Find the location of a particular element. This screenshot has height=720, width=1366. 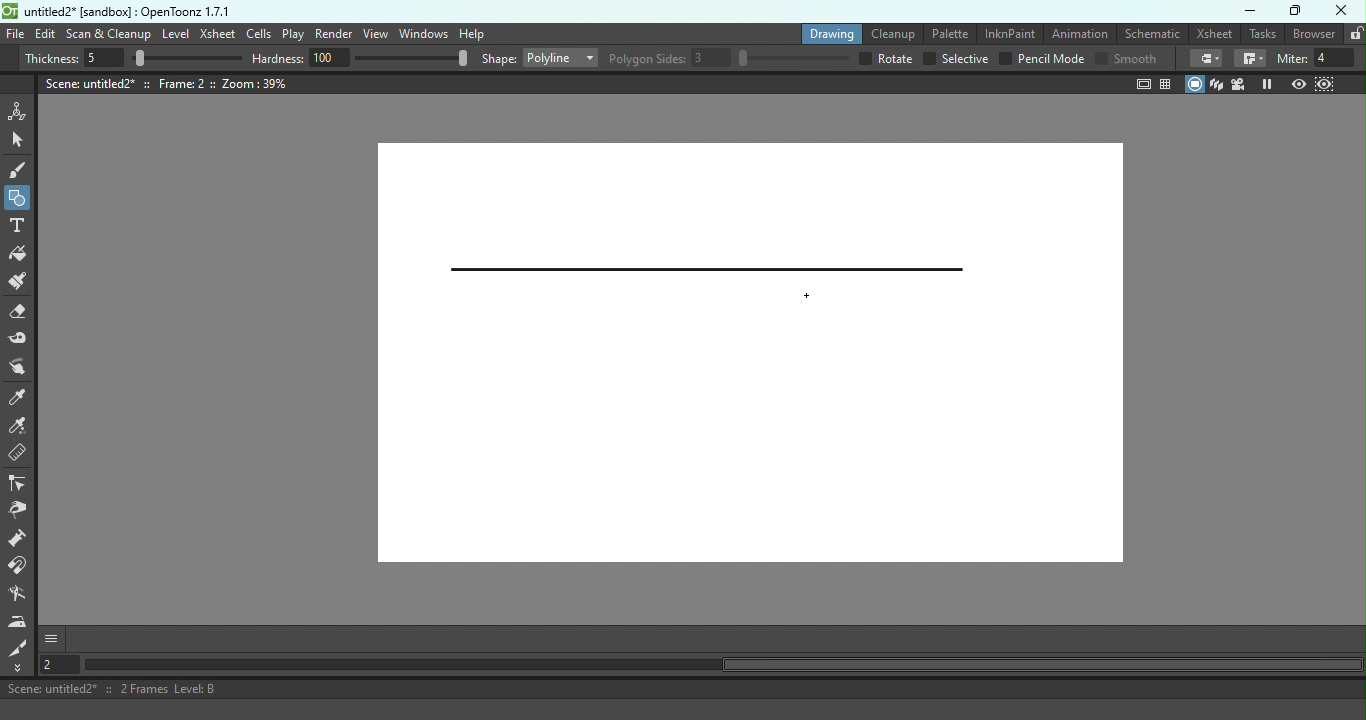

Camera stand view is located at coordinates (1195, 85).